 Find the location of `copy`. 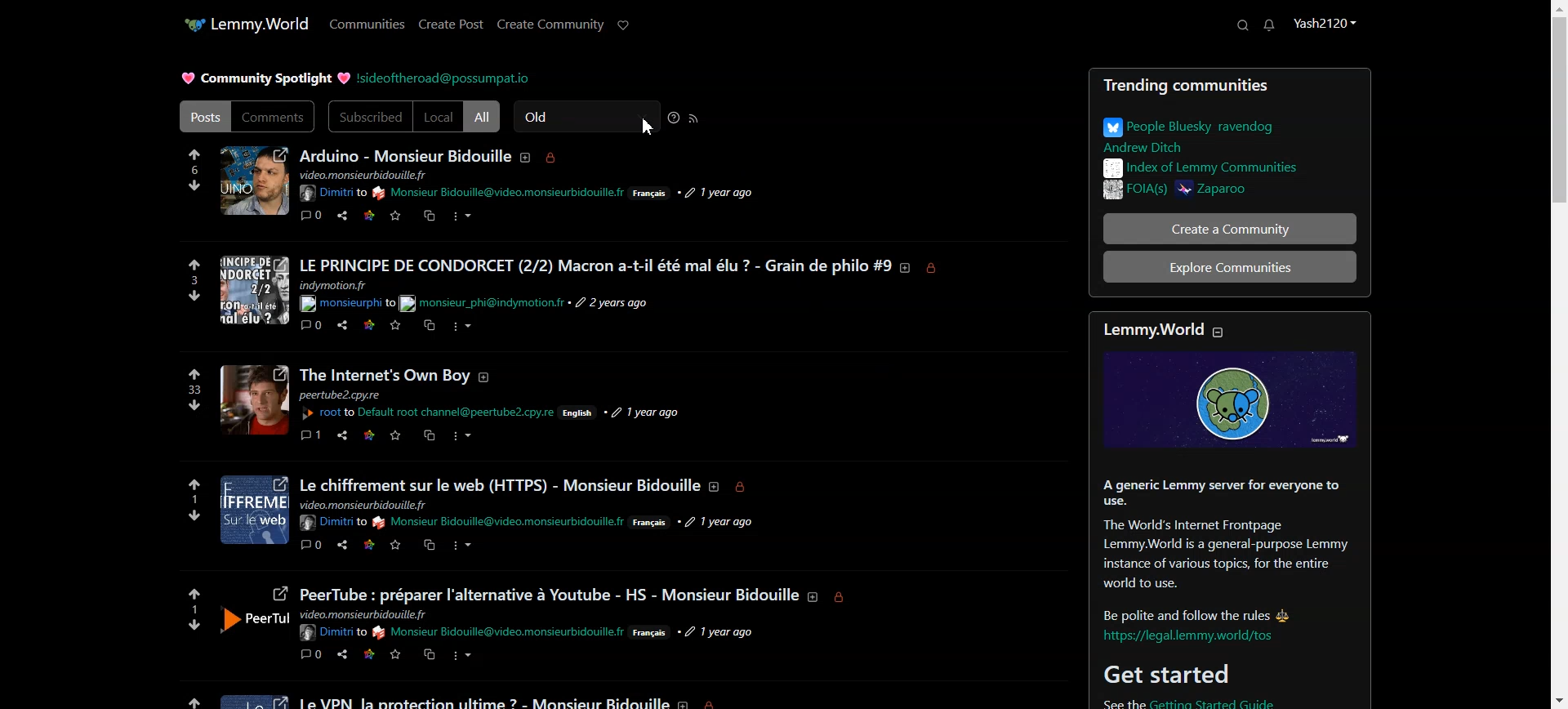

copy is located at coordinates (430, 543).